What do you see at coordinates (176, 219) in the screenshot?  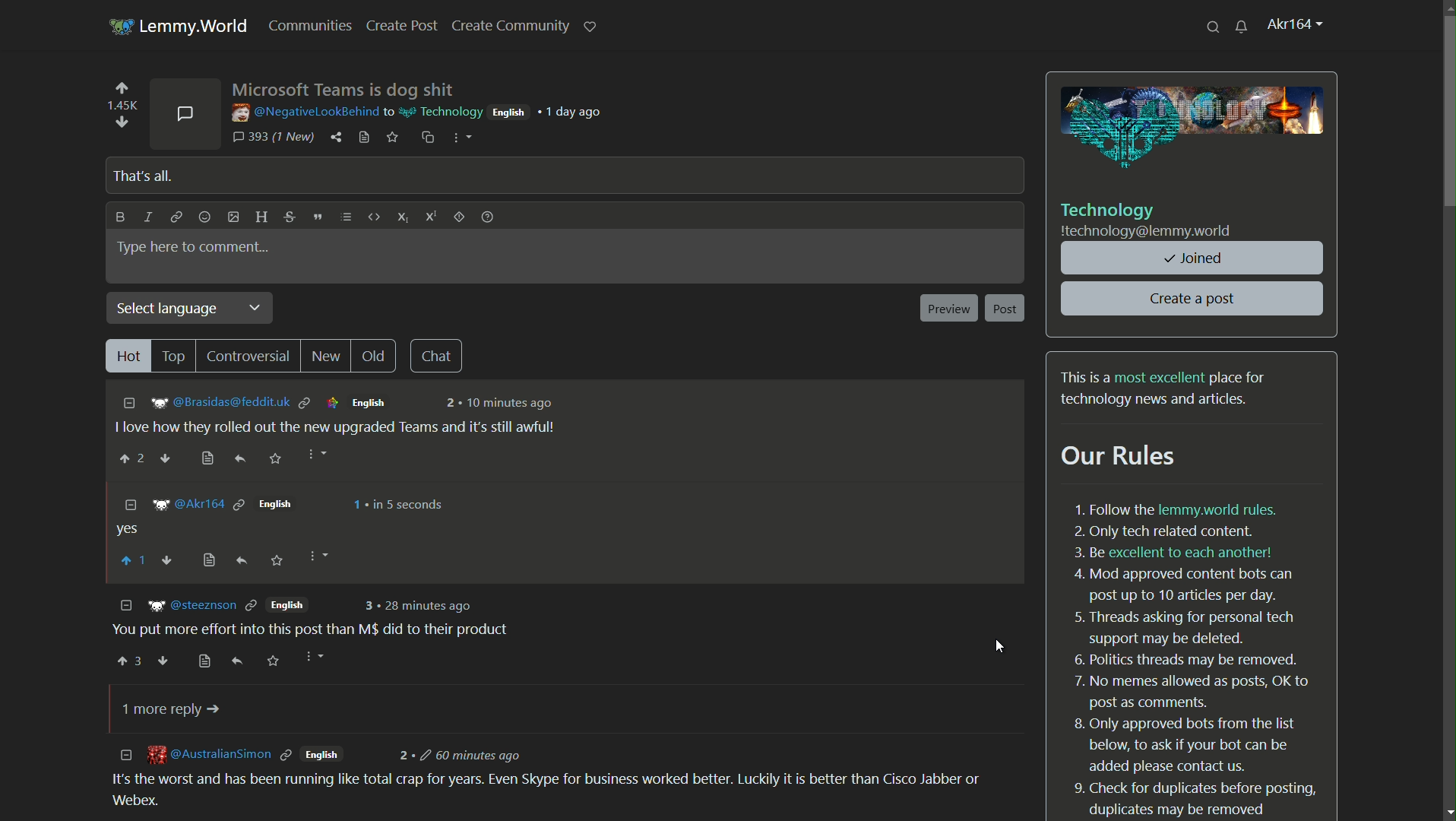 I see `link` at bounding box center [176, 219].